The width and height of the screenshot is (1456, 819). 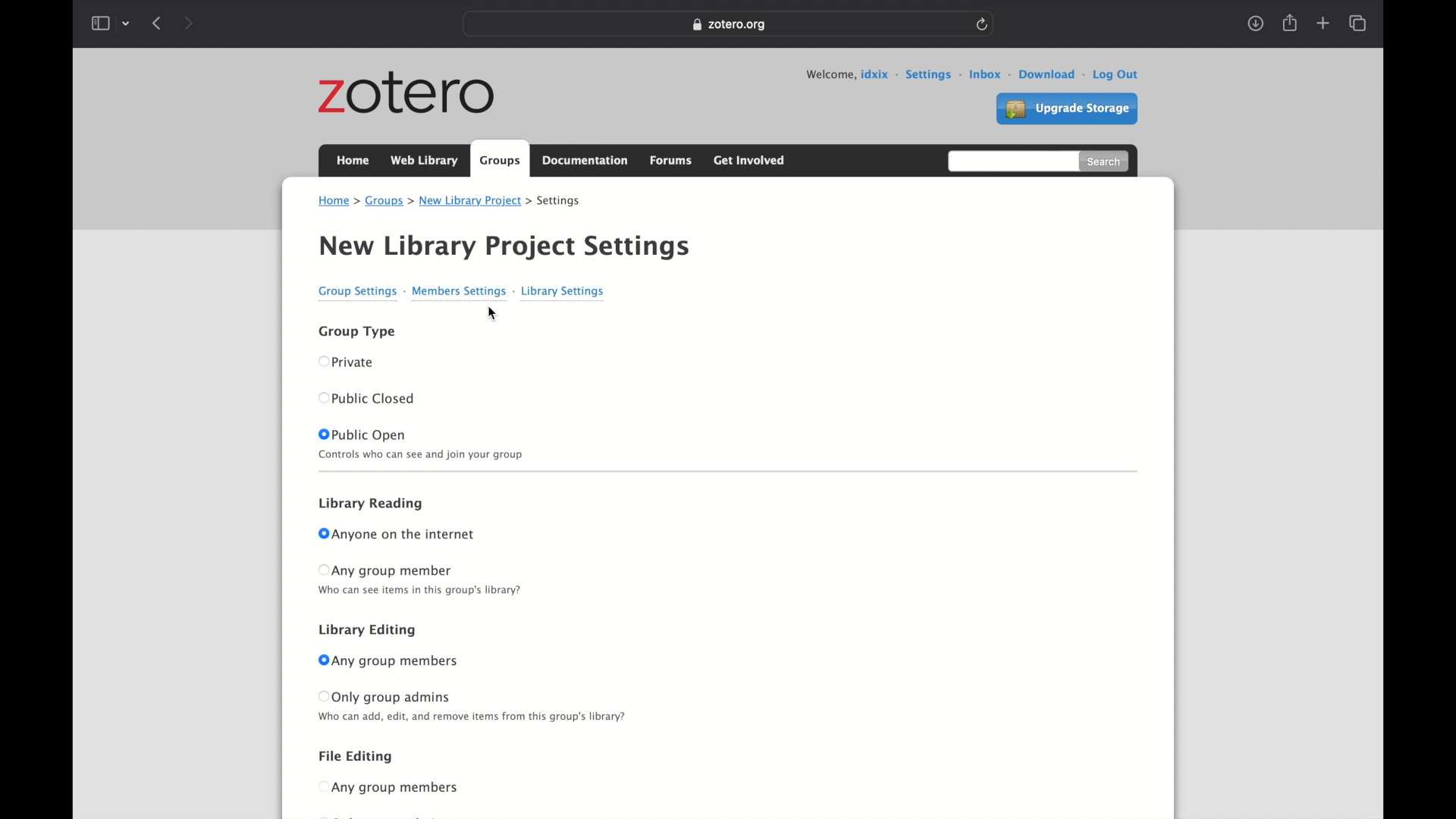 I want to click on new library project settings, so click(x=502, y=246).